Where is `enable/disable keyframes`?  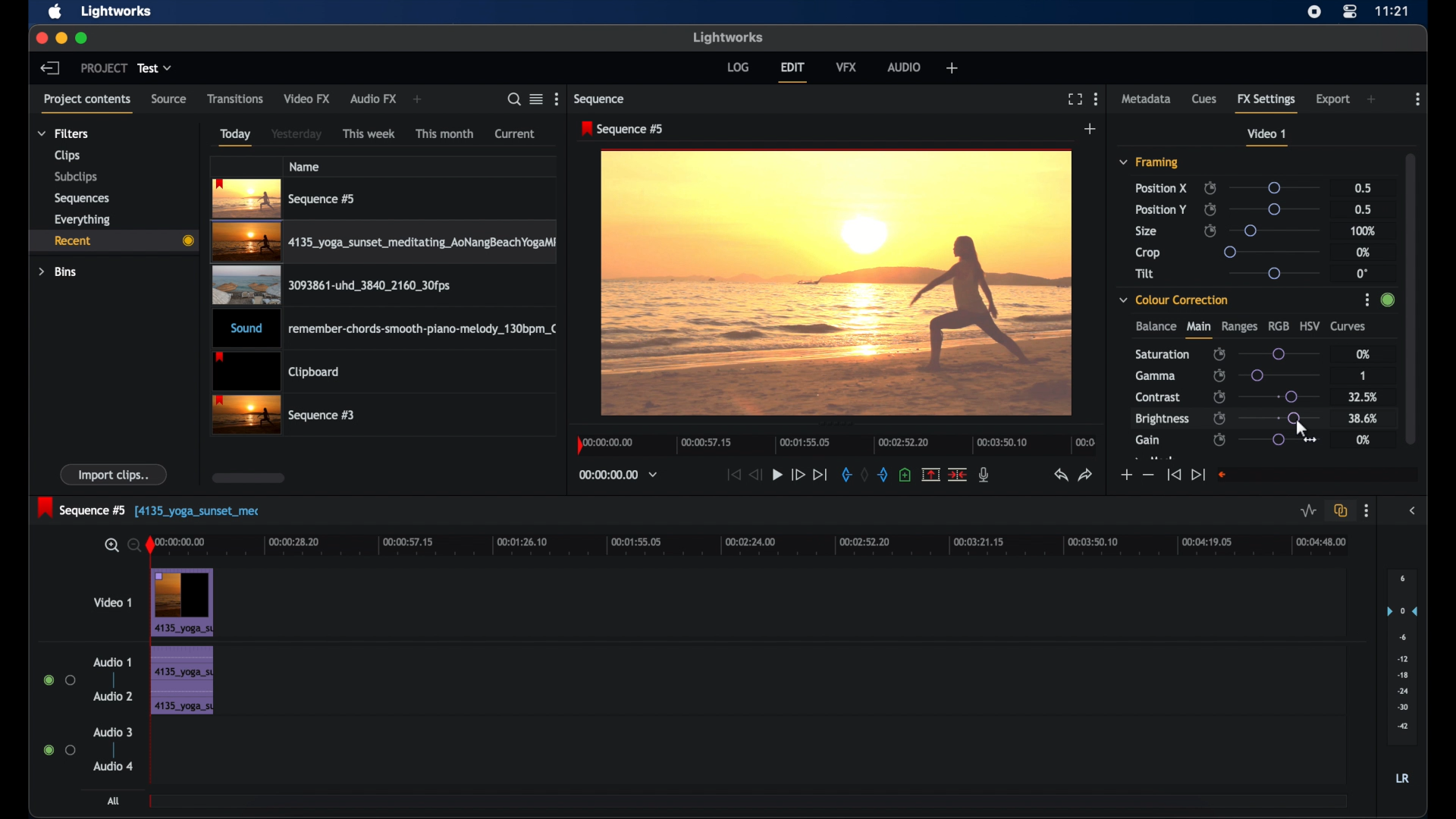 enable/disable keyframes is located at coordinates (1210, 188).